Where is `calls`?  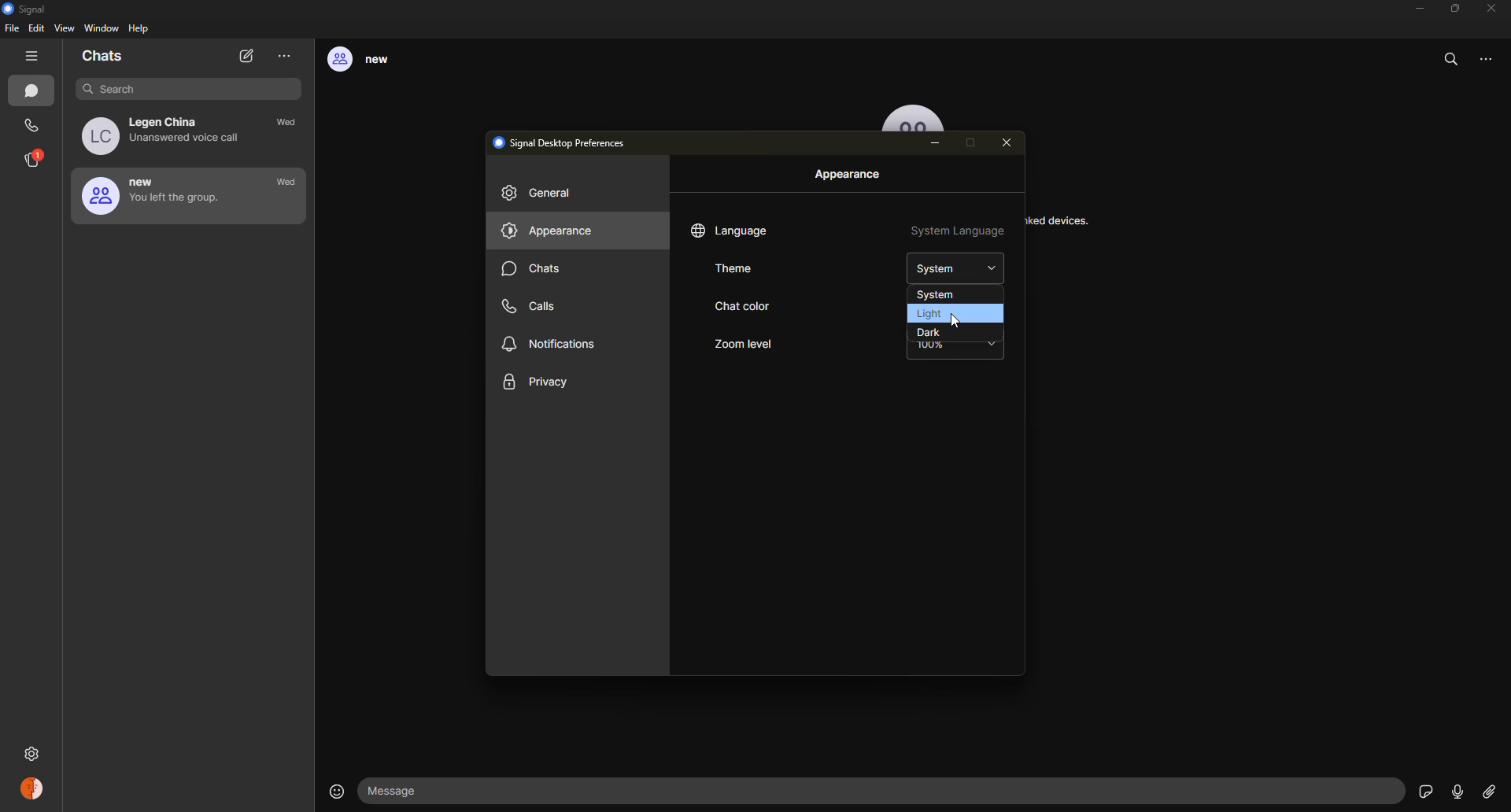
calls is located at coordinates (536, 304).